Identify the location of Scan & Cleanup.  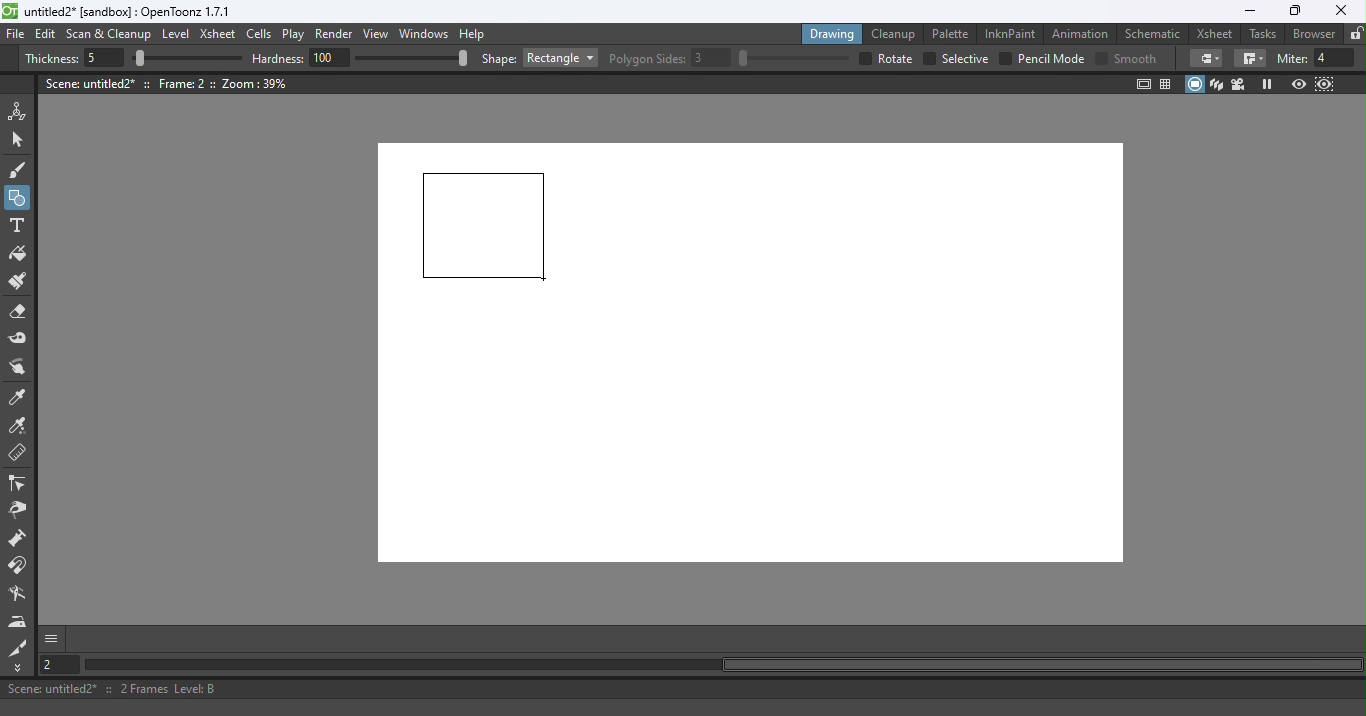
(109, 36).